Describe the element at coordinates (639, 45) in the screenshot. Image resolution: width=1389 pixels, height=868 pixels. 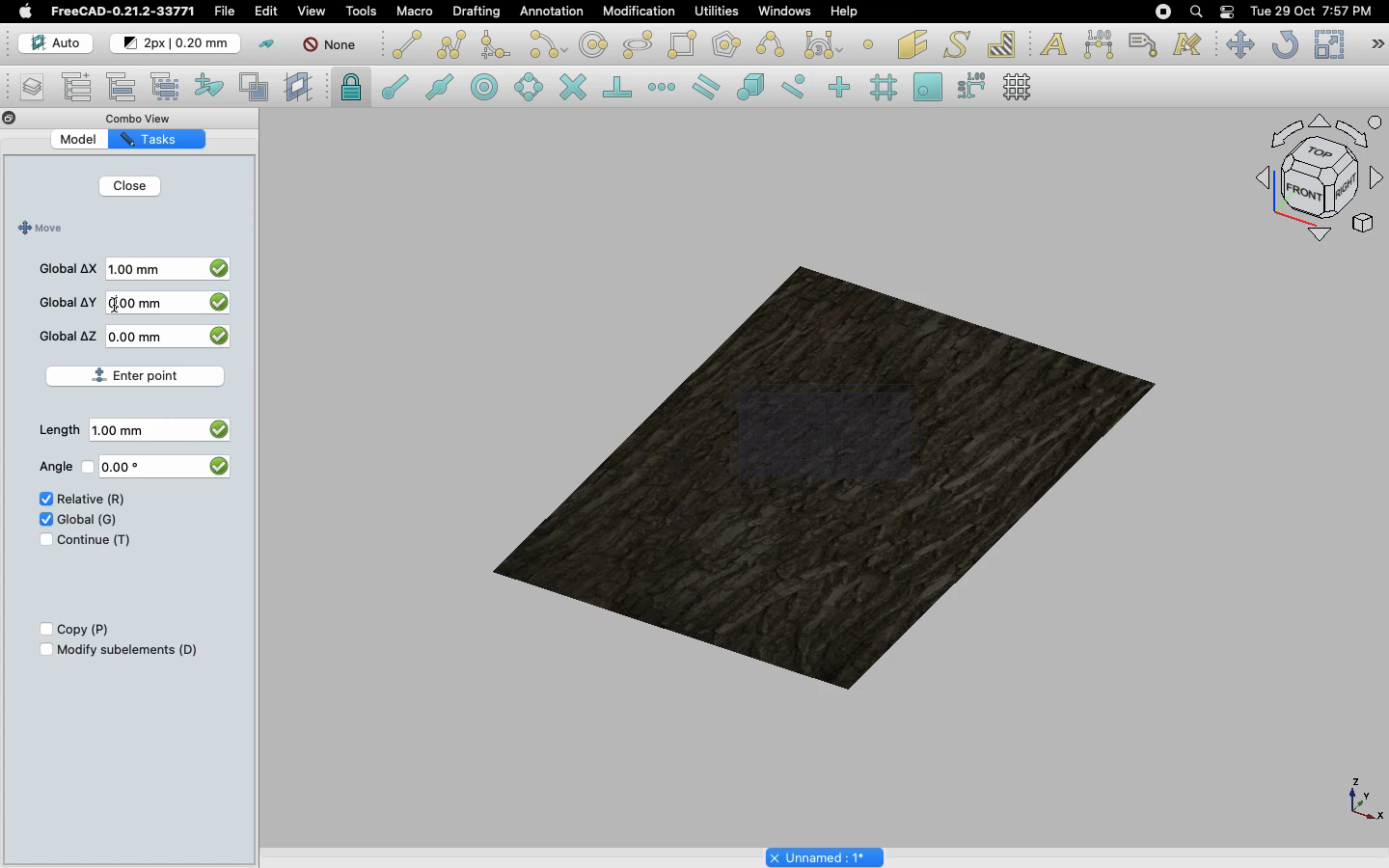
I see `polygon` at that location.